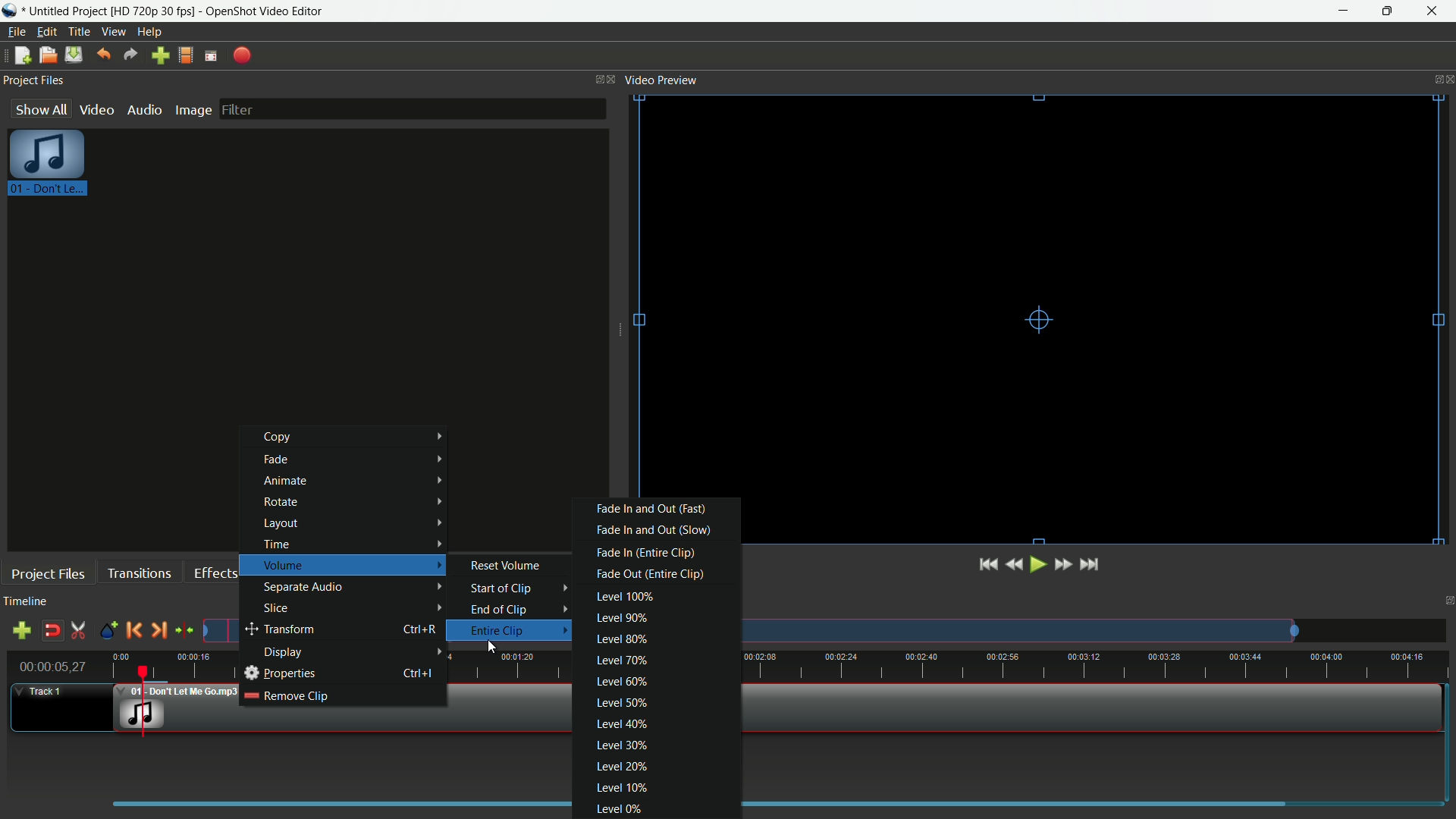 The width and height of the screenshot is (1456, 819). Describe the element at coordinates (265, 11) in the screenshot. I see `app name` at that location.